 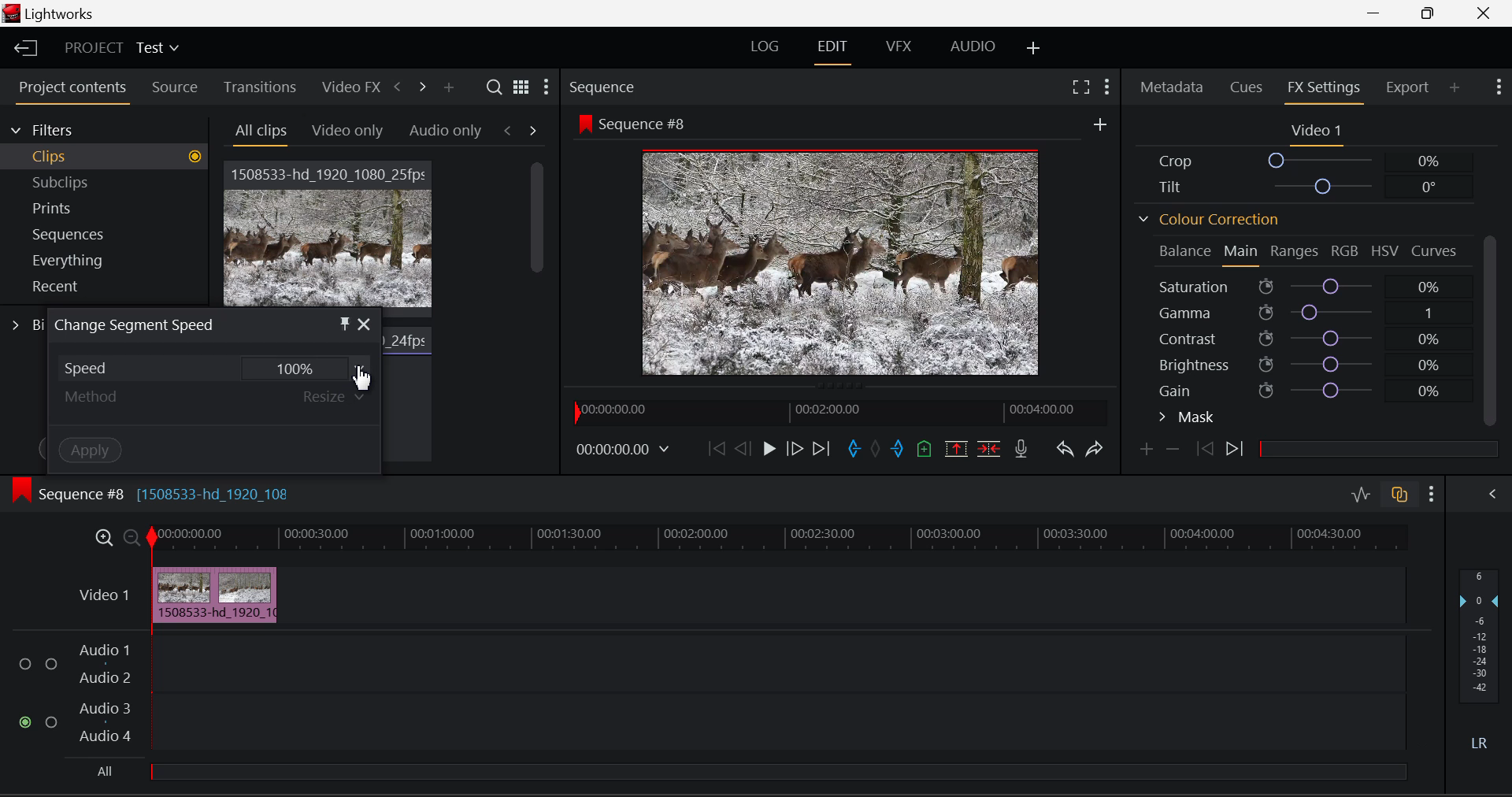 I want to click on Show Settings Menu, so click(x=1110, y=90).